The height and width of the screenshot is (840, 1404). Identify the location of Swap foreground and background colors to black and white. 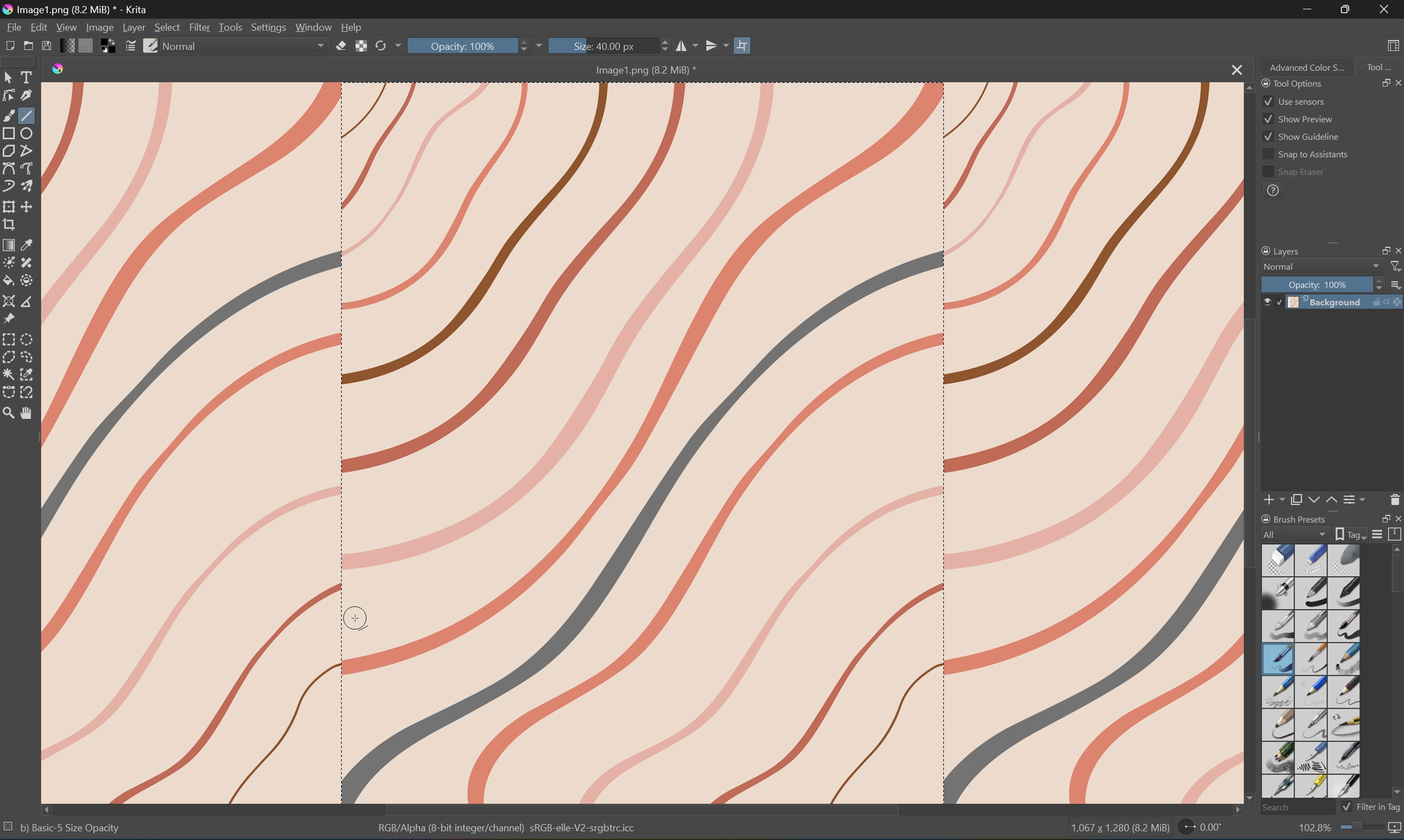
(109, 46).